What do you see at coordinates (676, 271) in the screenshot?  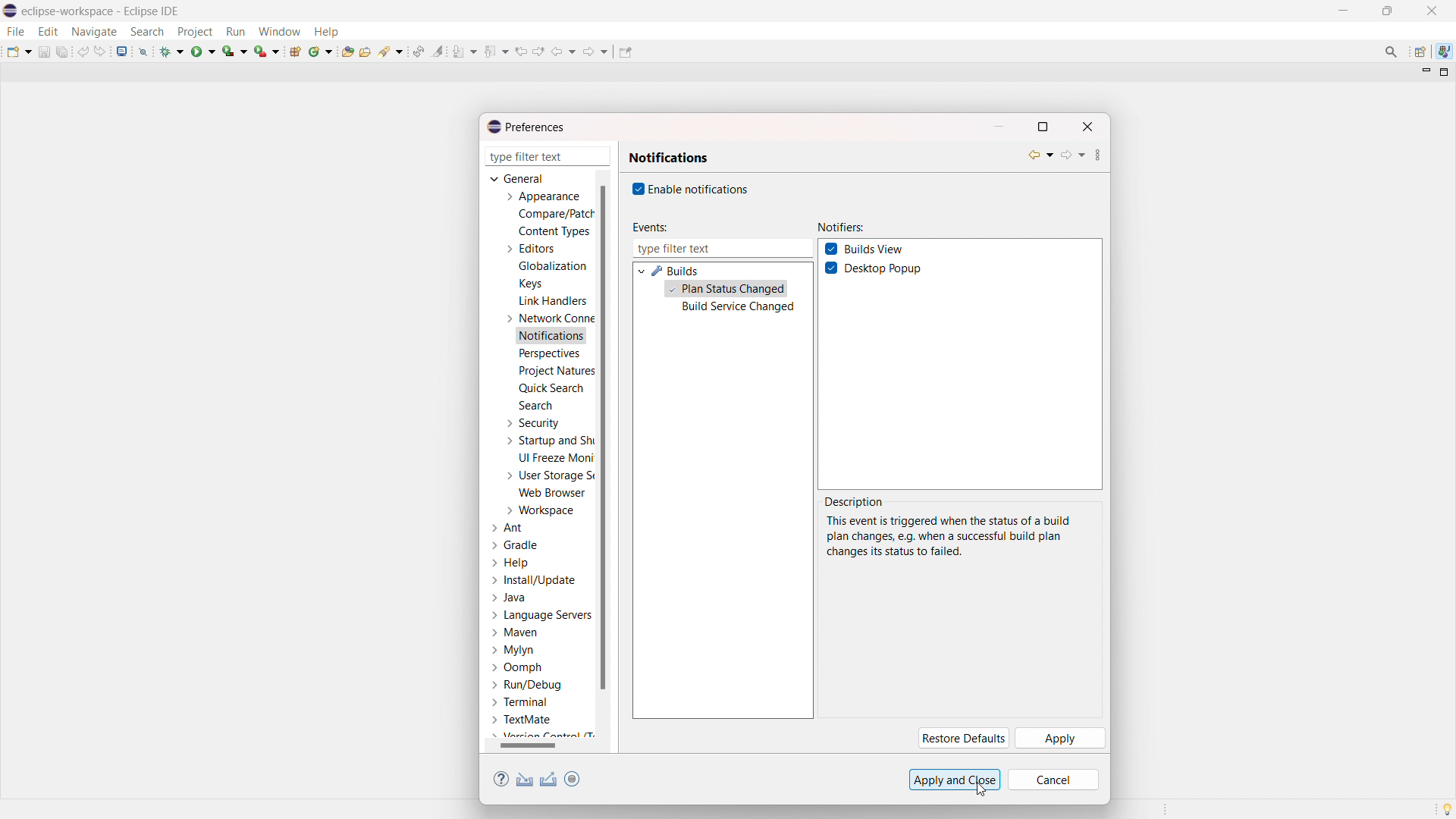 I see `builds` at bounding box center [676, 271].